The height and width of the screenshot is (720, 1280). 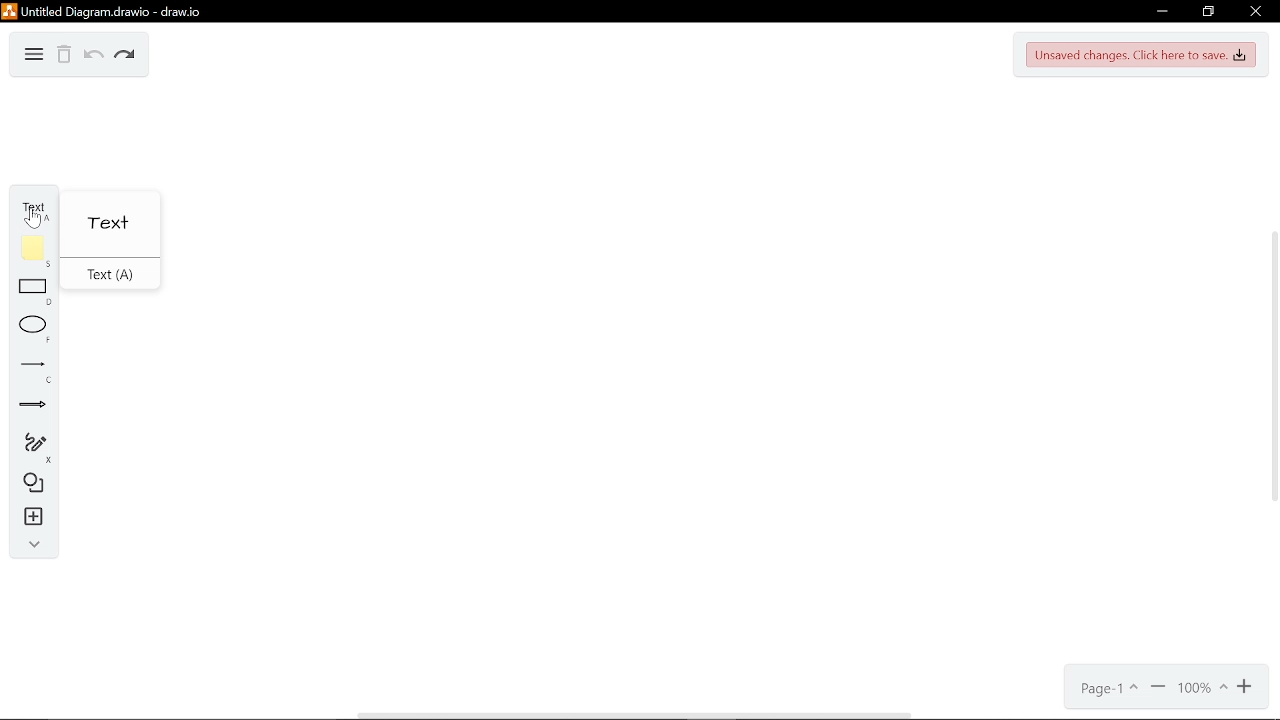 What do you see at coordinates (93, 56) in the screenshot?
I see `Undo` at bounding box center [93, 56].